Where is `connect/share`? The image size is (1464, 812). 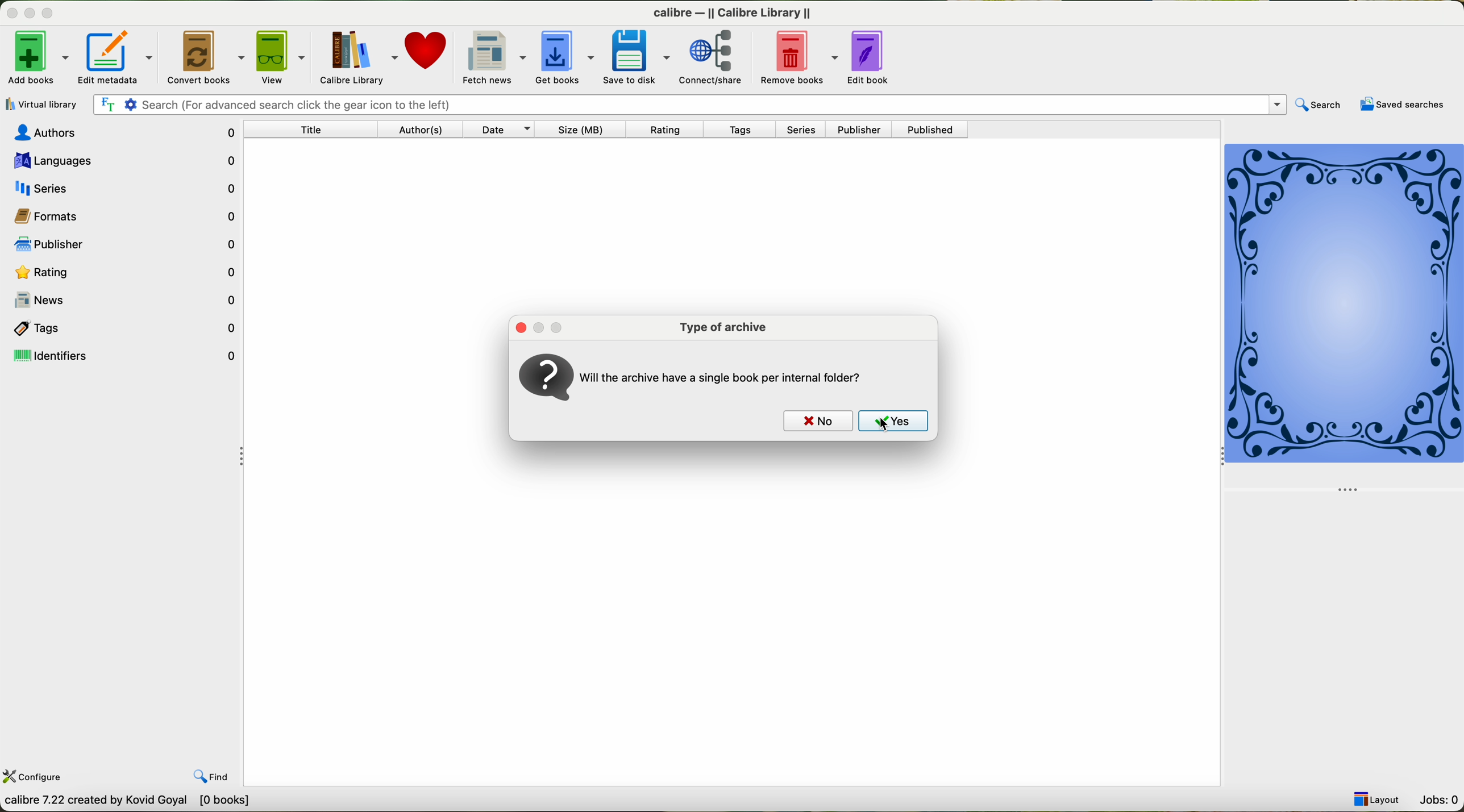
connect/share is located at coordinates (714, 59).